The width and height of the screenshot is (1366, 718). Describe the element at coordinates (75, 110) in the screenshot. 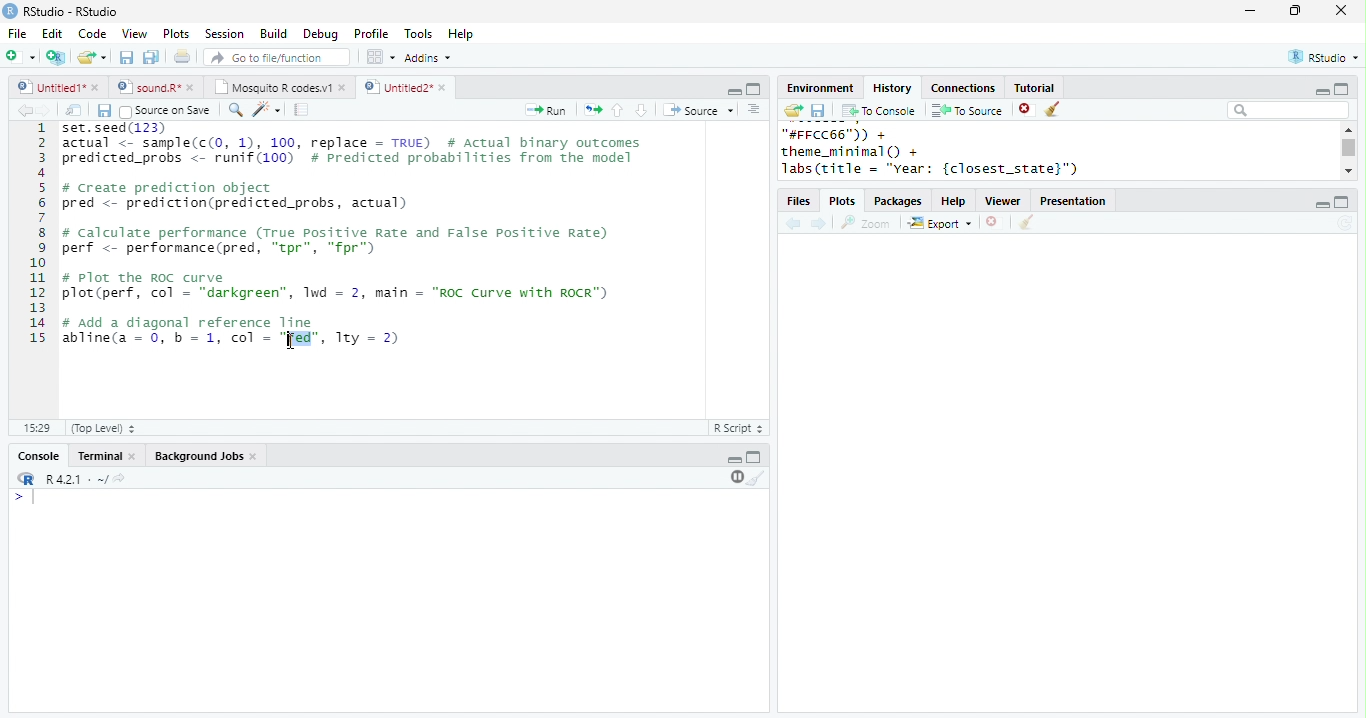

I see `show in new window` at that location.